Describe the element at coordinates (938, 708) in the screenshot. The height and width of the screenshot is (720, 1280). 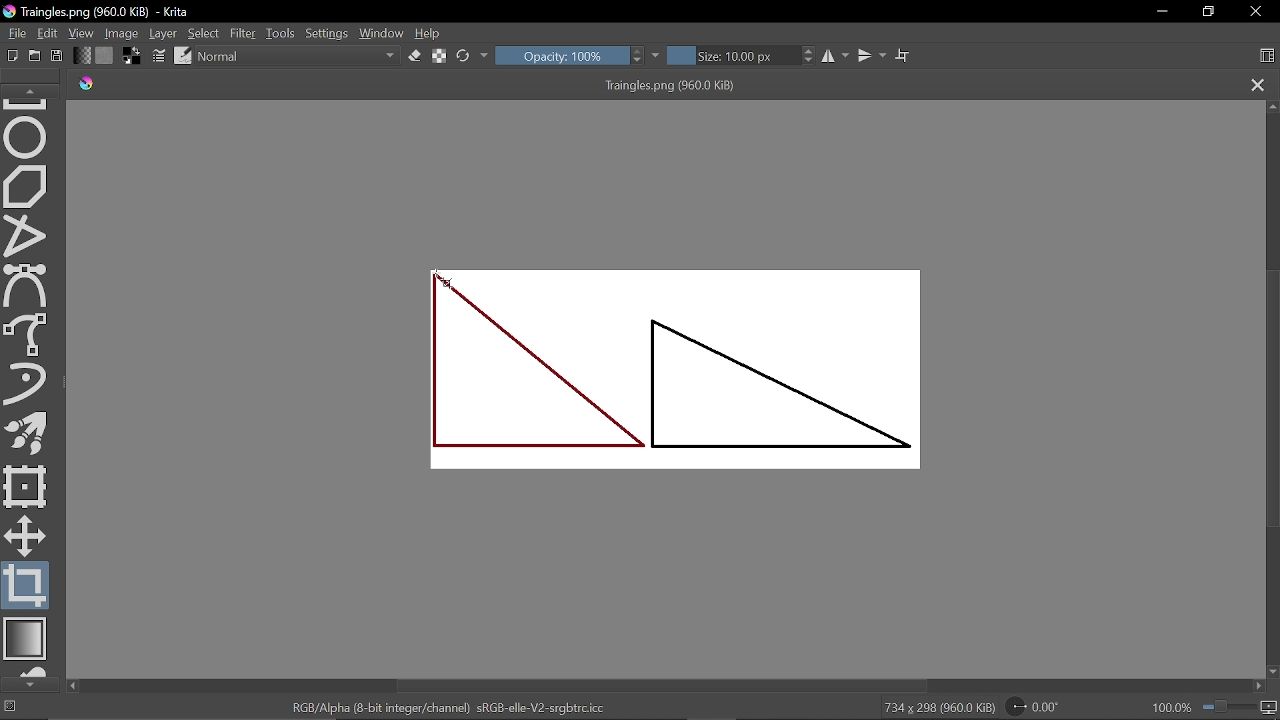
I see `734 x 298 (960.0 KiB)` at that location.